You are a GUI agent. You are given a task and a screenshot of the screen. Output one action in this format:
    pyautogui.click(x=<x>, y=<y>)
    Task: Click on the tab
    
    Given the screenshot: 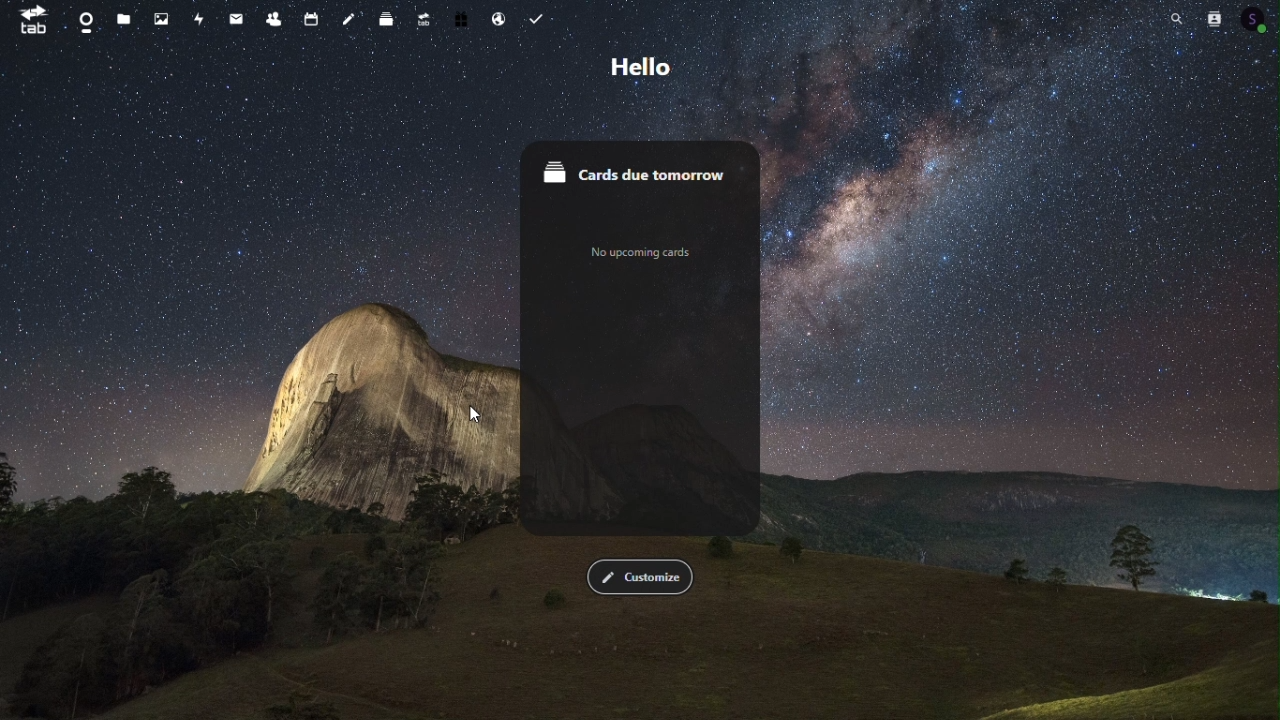 What is the action you would take?
    pyautogui.click(x=27, y=21)
    